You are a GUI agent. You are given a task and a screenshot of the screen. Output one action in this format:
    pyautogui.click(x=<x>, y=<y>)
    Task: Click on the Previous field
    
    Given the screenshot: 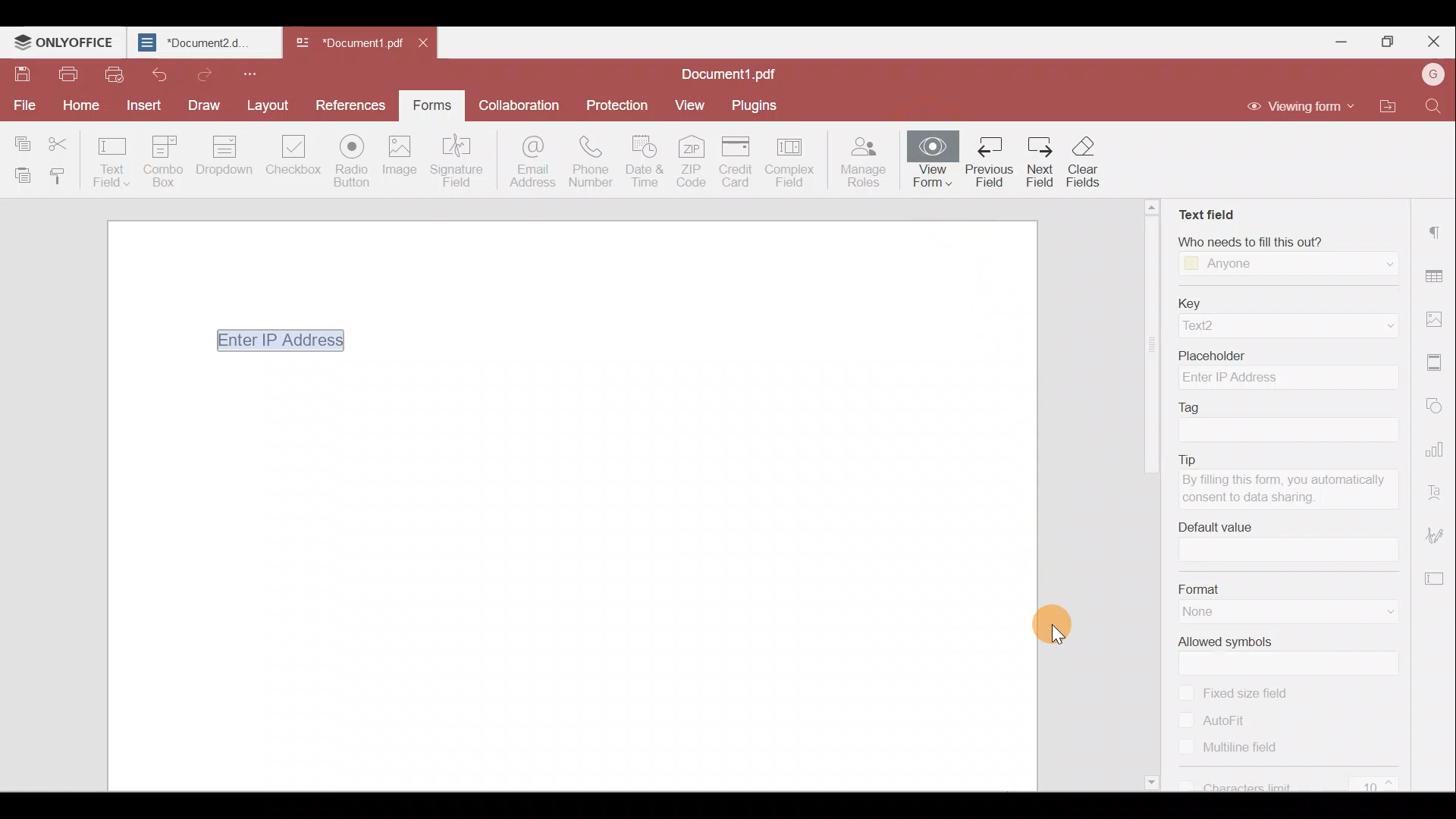 What is the action you would take?
    pyautogui.click(x=990, y=162)
    